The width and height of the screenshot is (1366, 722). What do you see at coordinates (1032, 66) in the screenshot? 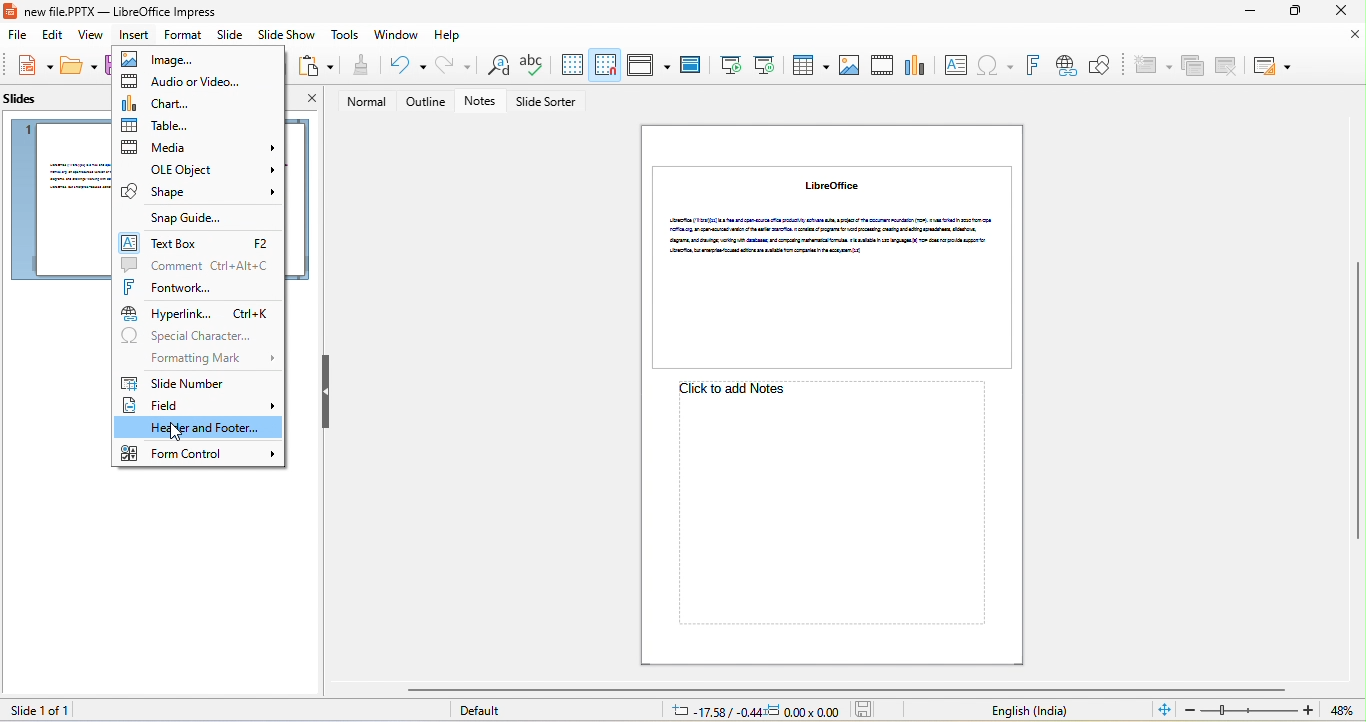
I see `font work text` at bounding box center [1032, 66].